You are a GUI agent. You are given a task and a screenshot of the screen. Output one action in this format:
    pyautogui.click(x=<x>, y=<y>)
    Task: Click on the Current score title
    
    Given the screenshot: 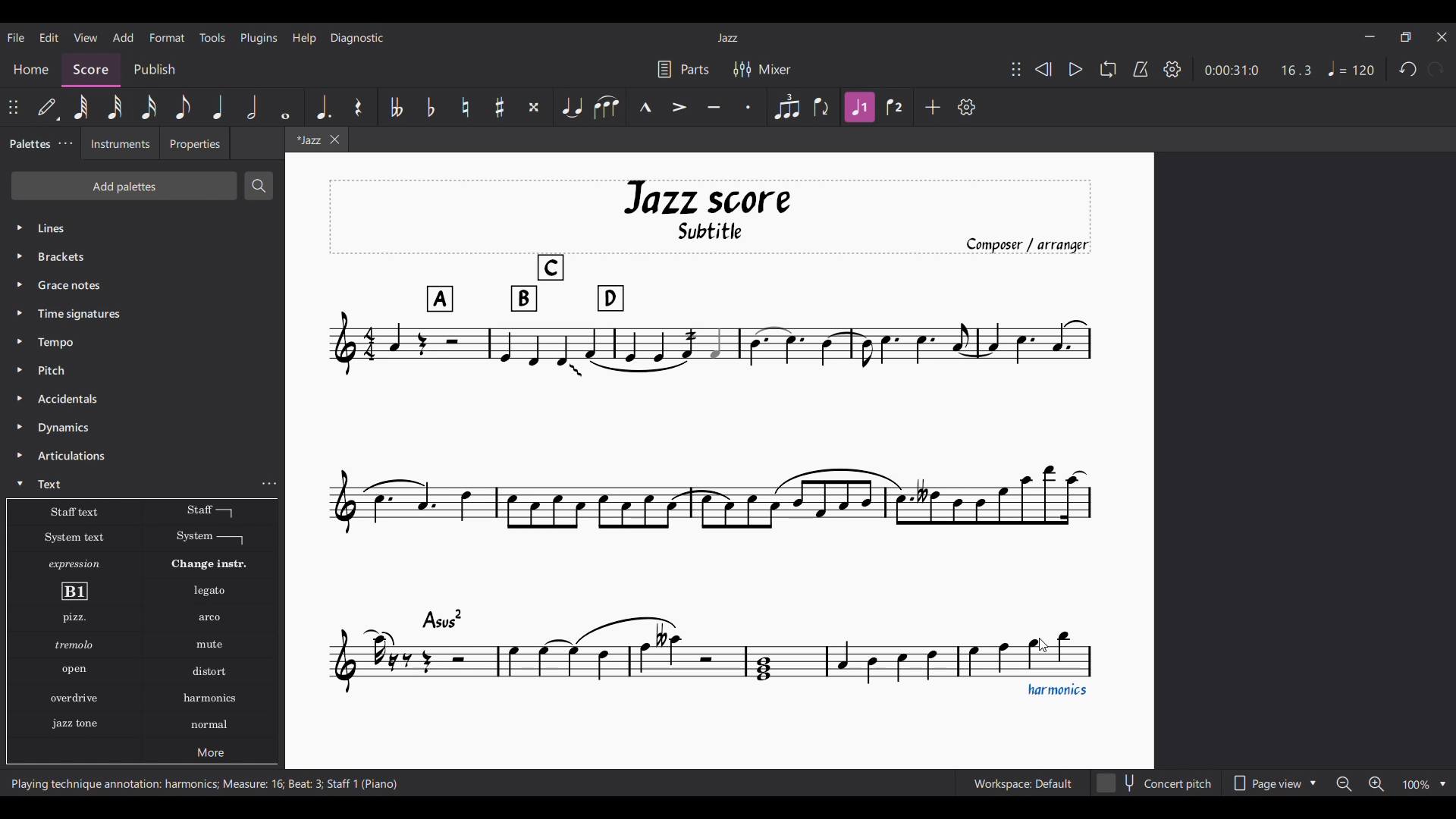 What is the action you would take?
    pyautogui.click(x=728, y=38)
    